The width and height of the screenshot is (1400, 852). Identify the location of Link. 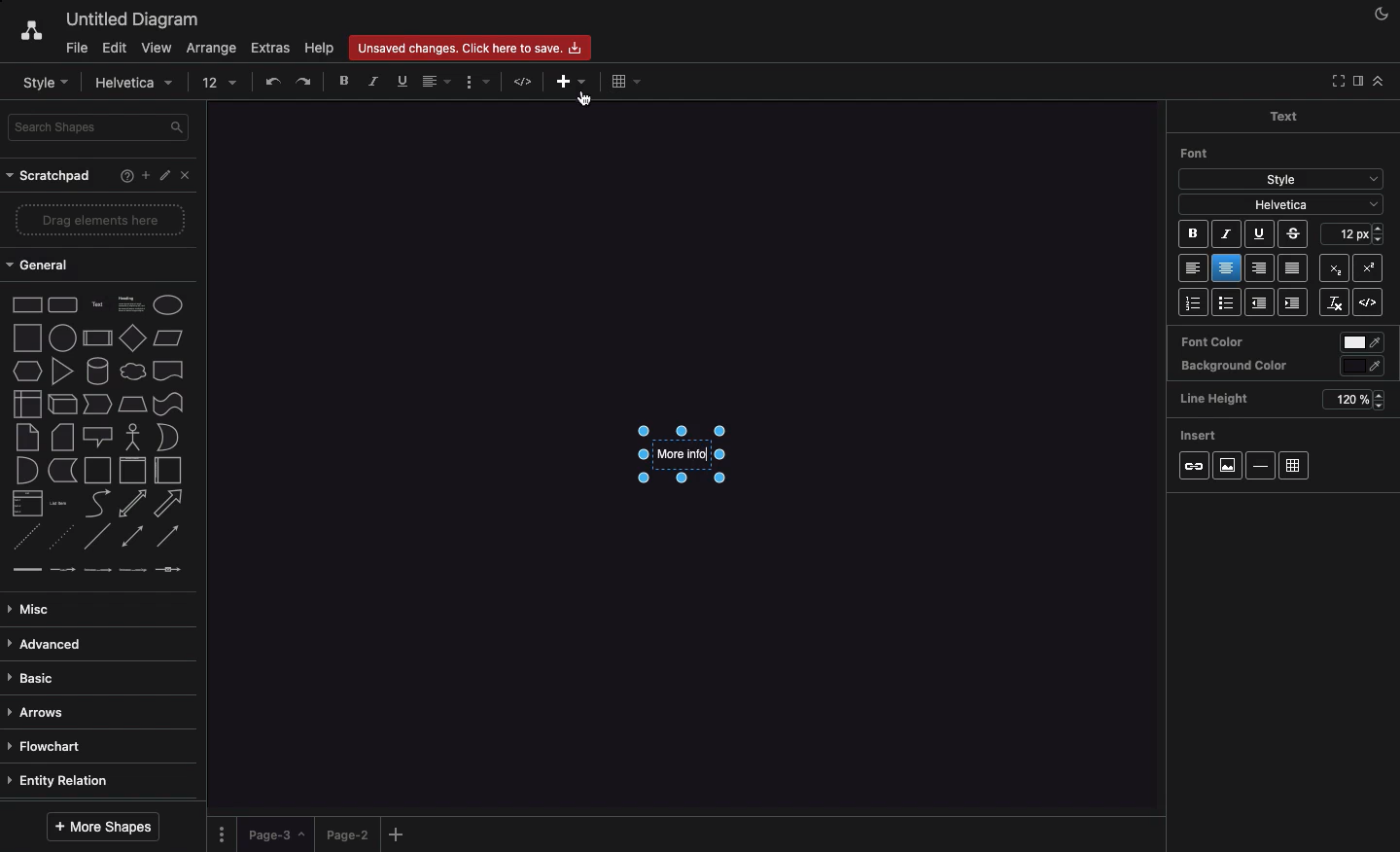
(1194, 467).